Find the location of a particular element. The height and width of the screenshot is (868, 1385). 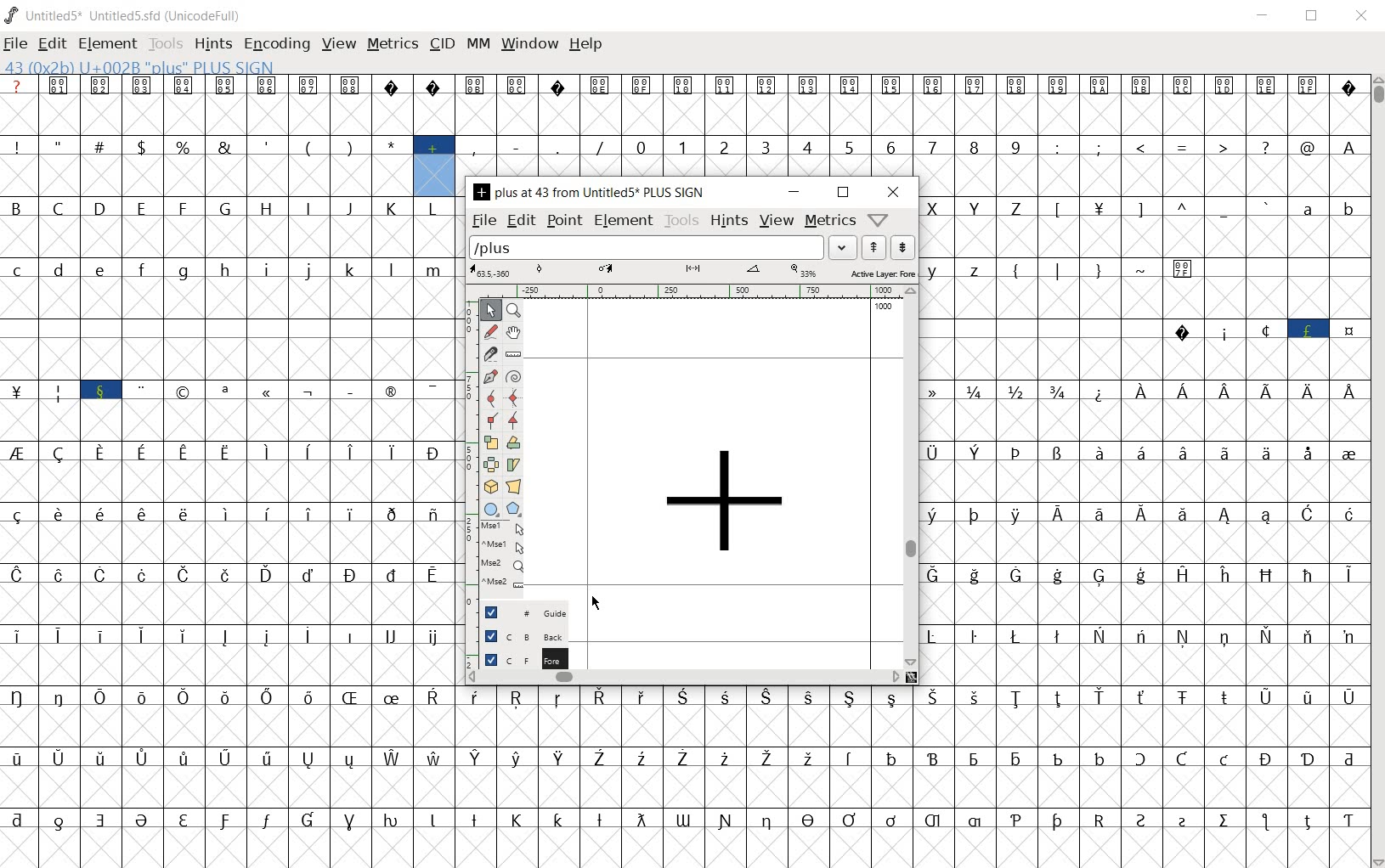

 is located at coordinates (939, 533).